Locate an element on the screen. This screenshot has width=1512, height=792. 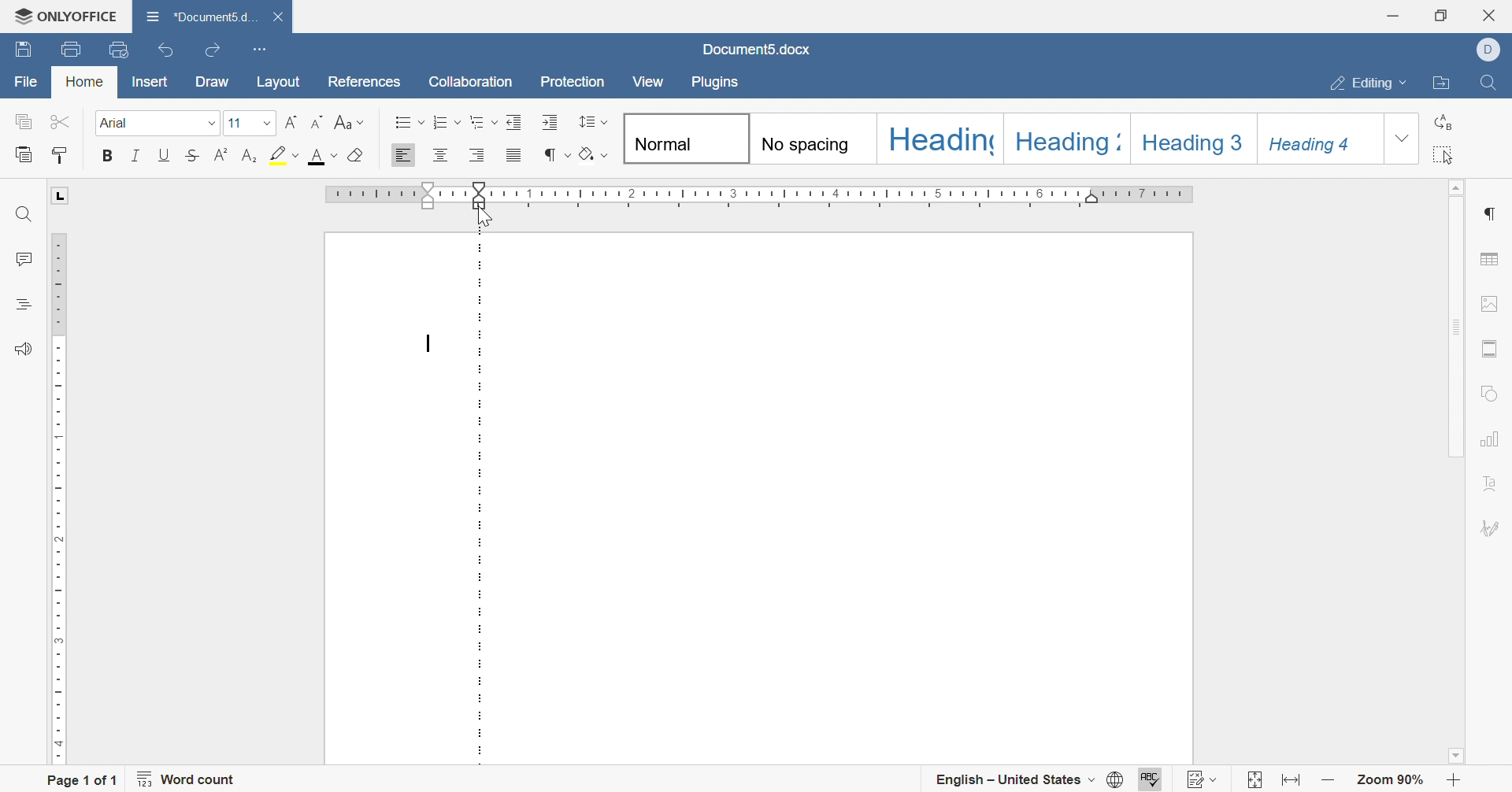
collaboration is located at coordinates (470, 80).